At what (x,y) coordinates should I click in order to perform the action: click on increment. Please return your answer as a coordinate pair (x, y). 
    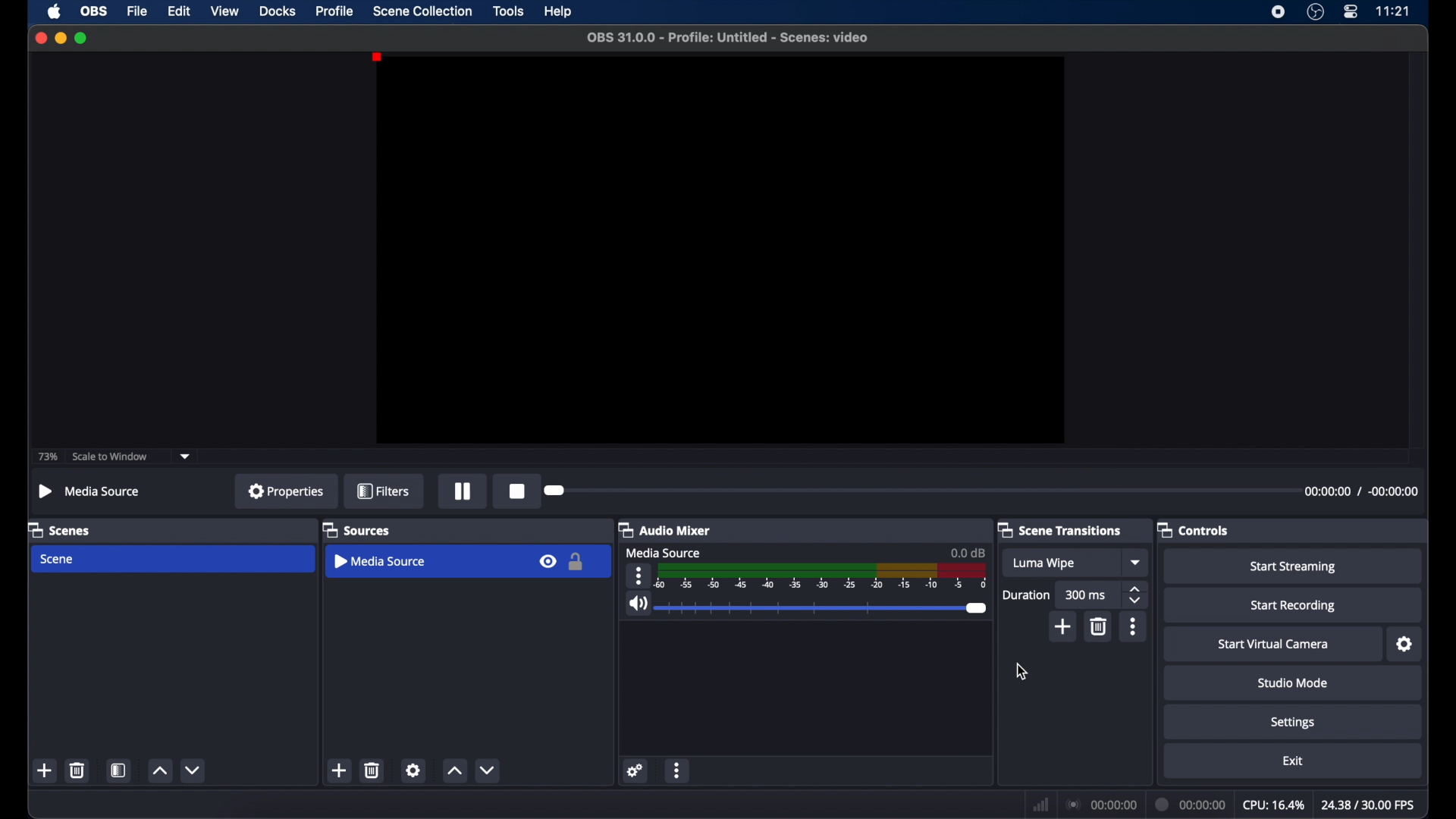
    Looking at the image, I should click on (454, 771).